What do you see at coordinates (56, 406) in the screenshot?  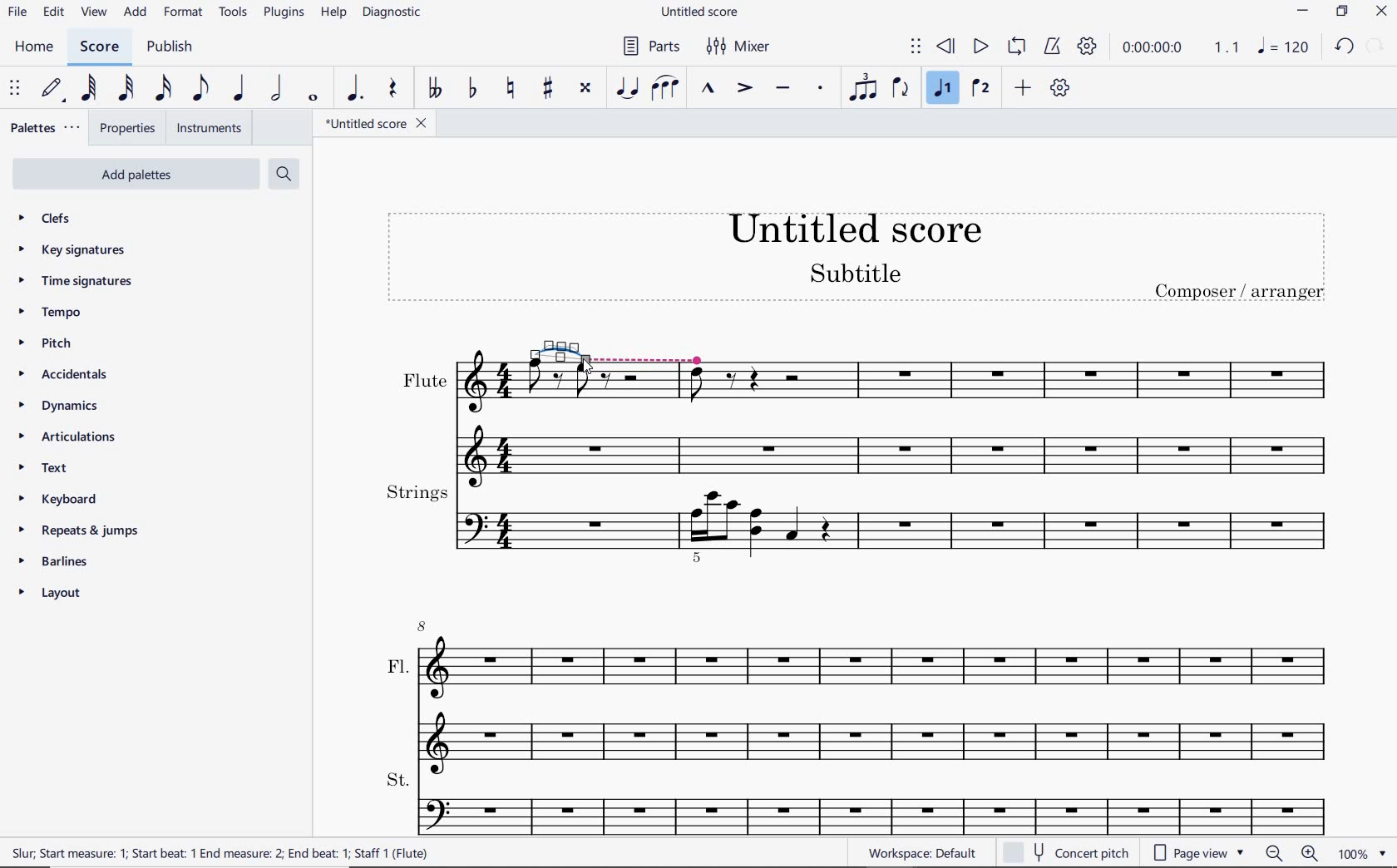 I see `dynamics` at bounding box center [56, 406].